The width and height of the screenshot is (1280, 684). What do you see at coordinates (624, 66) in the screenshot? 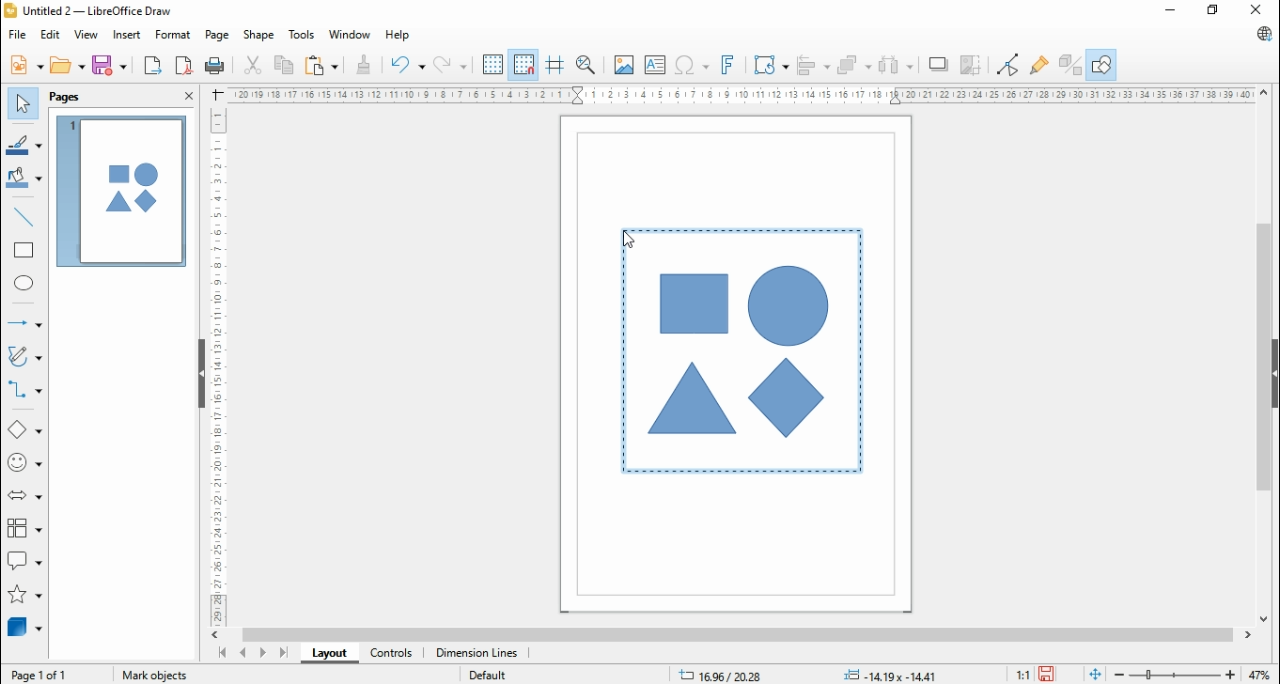
I see `insert image` at bounding box center [624, 66].